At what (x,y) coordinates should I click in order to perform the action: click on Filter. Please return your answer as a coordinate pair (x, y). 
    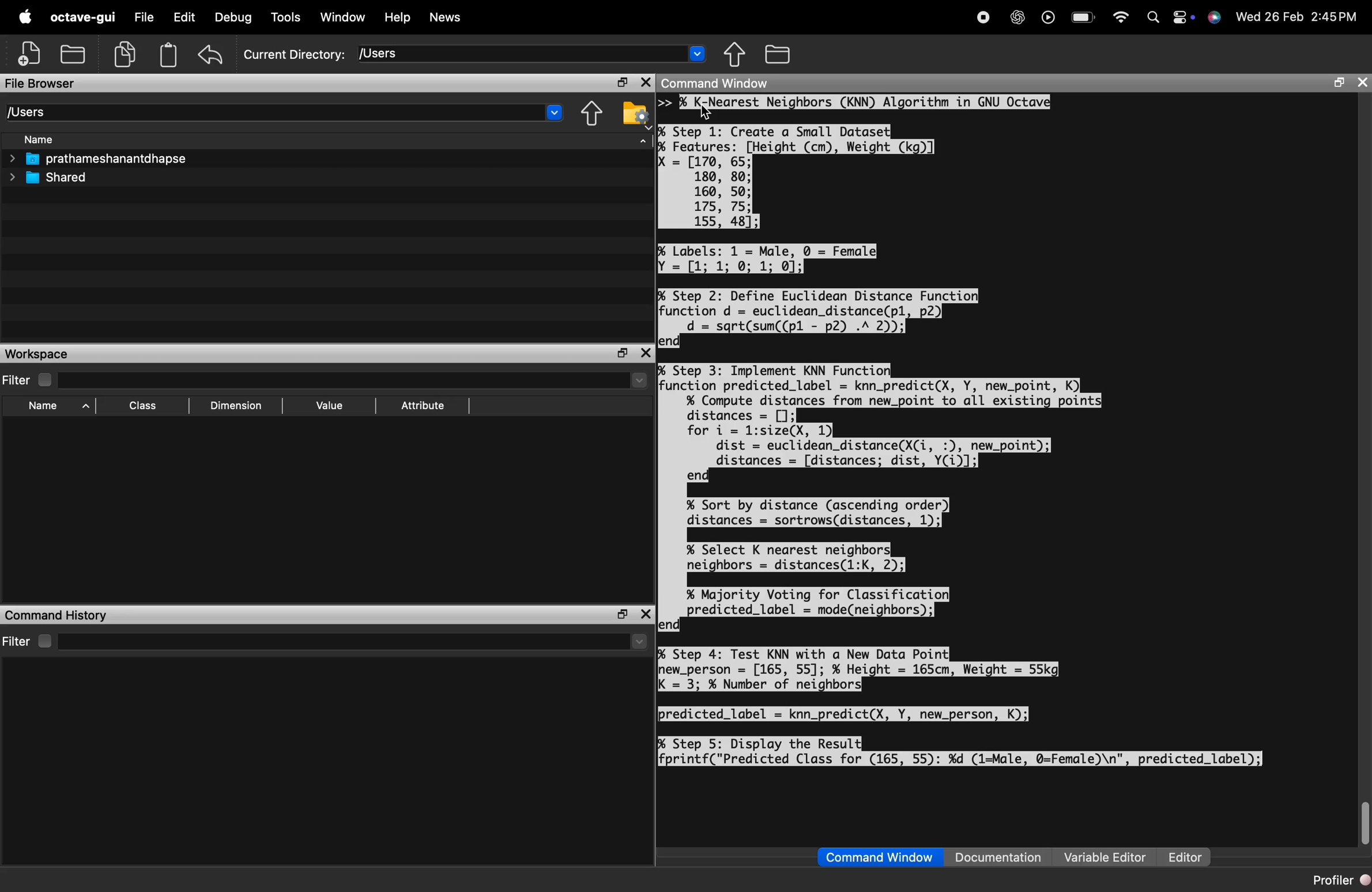
    Looking at the image, I should click on (20, 379).